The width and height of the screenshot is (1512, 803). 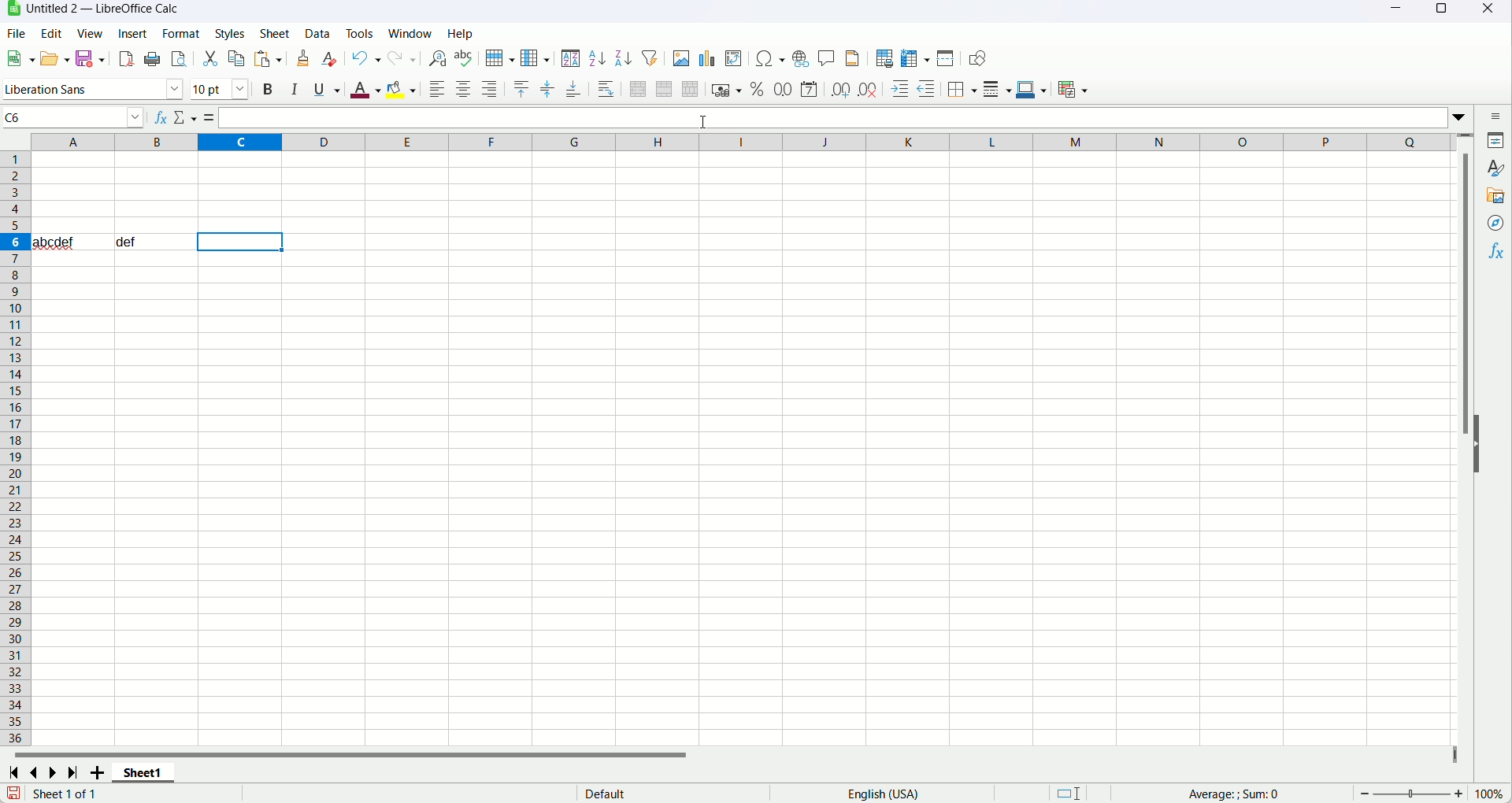 I want to click on maximize, so click(x=1440, y=11).